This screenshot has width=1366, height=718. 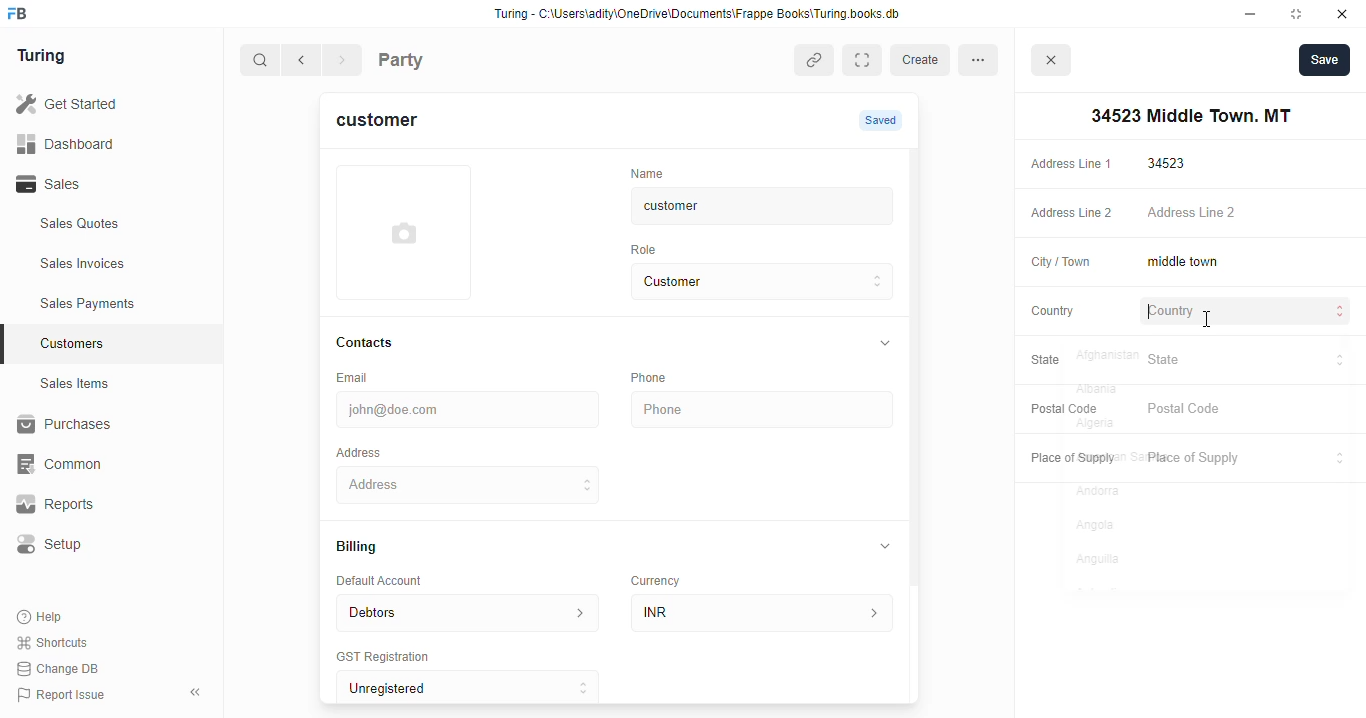 I want to click on Country, so click(x=1051, y=310).